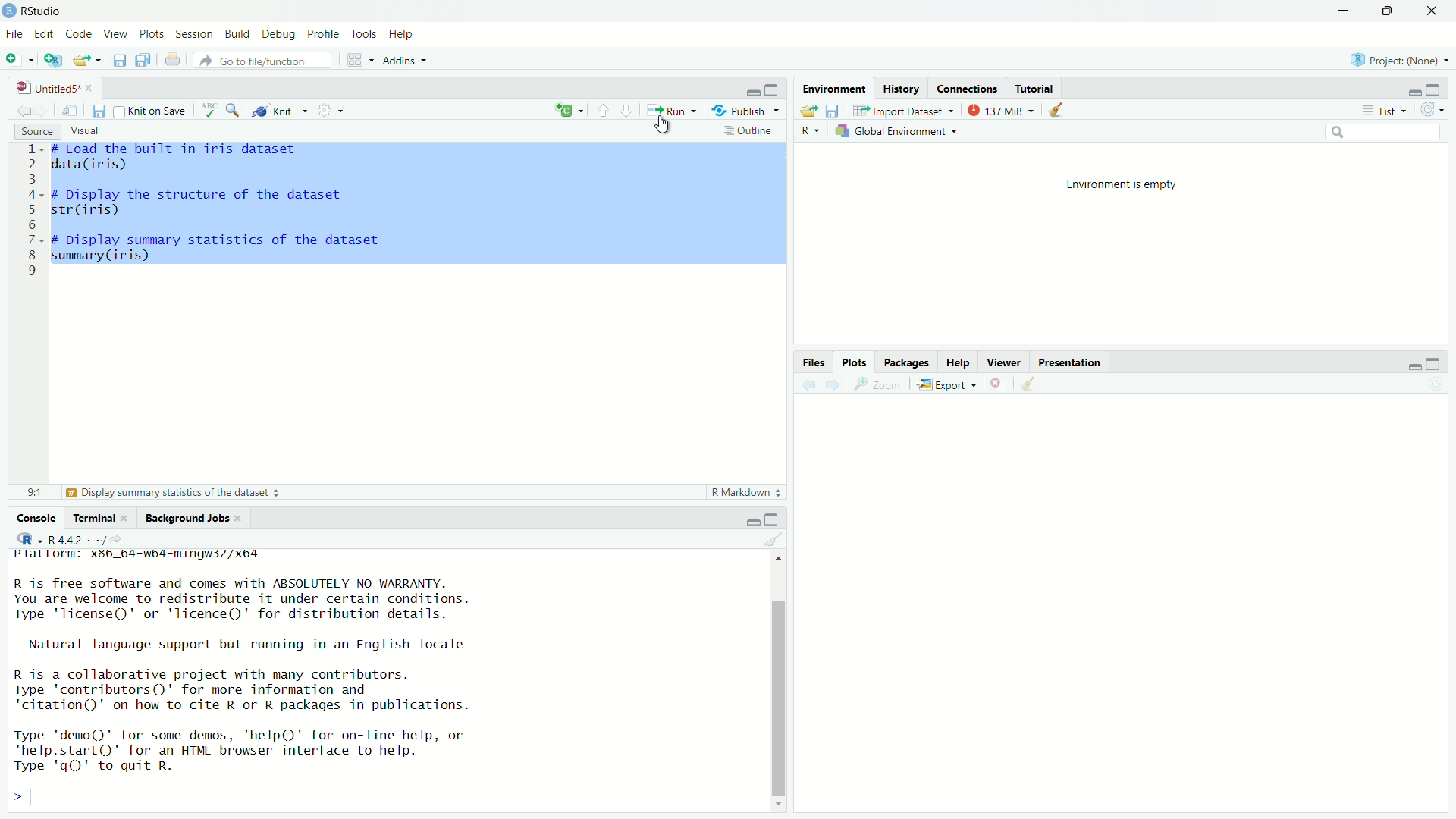 The height and width of the screenshot is (819, 1456). Describe the element at coordinates (876, 384) in the screenshot. I see `Zoom` at that location.